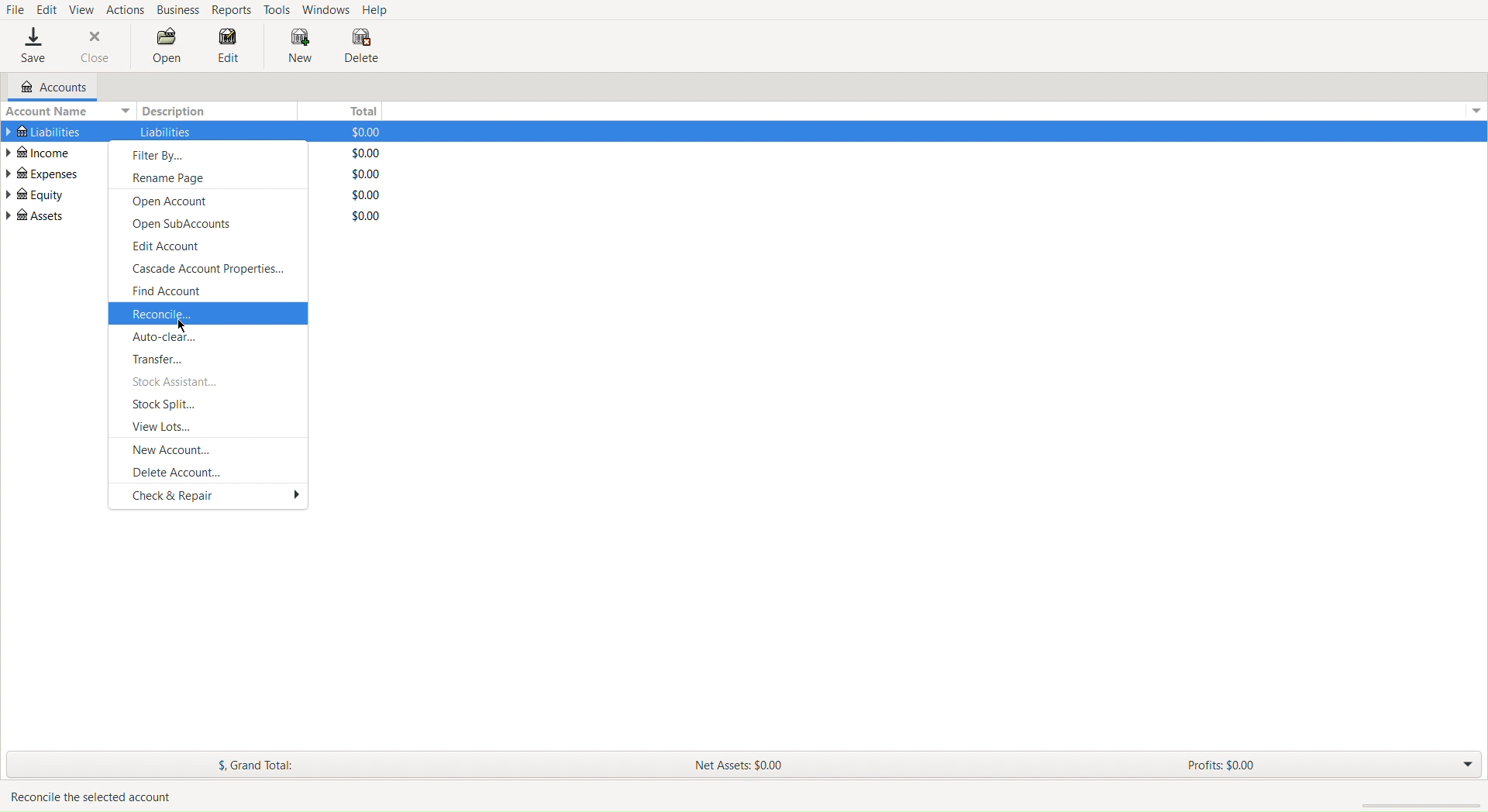 The width and height of the screenshot is (1488, 812). What do you see at coordinates (211, 451) in the screenshot?
I see `New Account` at bounding box center [211, 451].